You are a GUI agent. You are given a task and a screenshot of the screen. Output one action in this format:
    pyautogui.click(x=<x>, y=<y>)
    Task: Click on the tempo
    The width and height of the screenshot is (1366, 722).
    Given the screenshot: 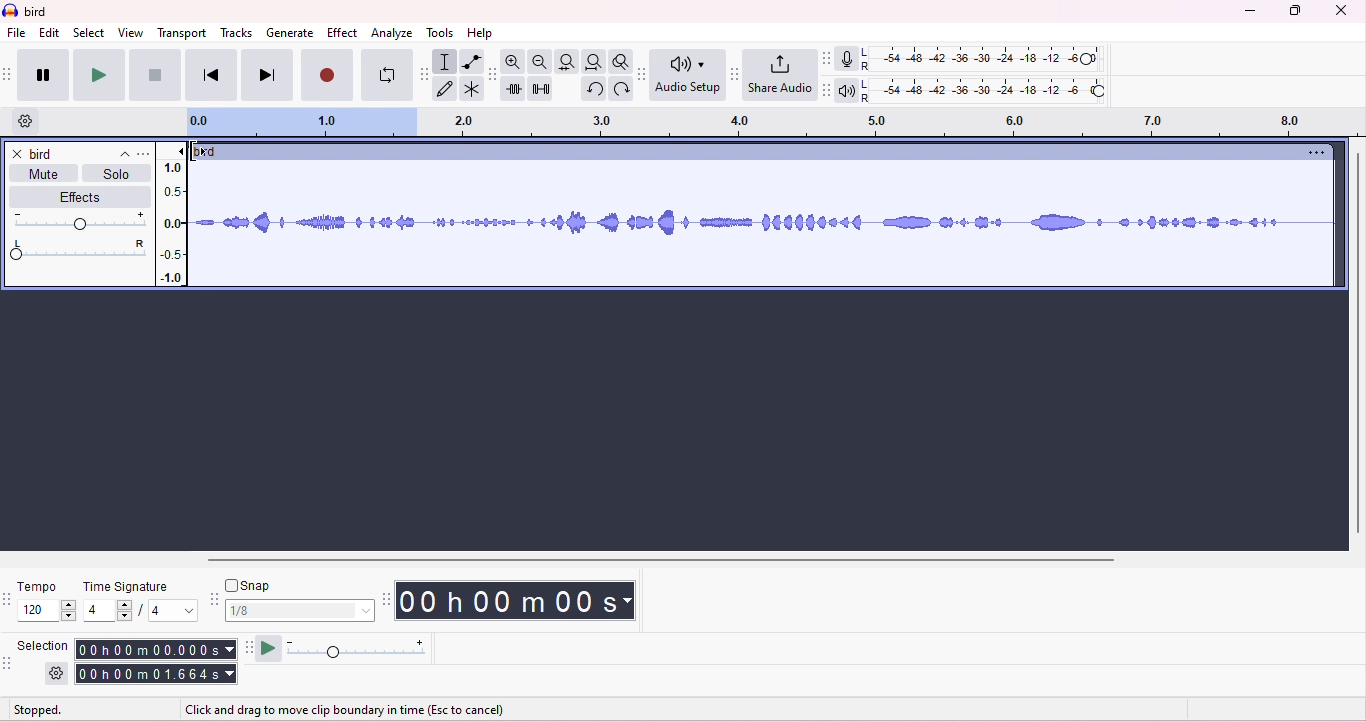 What is the action you would take?
    pyautogui.click(x=39, y=585)
    